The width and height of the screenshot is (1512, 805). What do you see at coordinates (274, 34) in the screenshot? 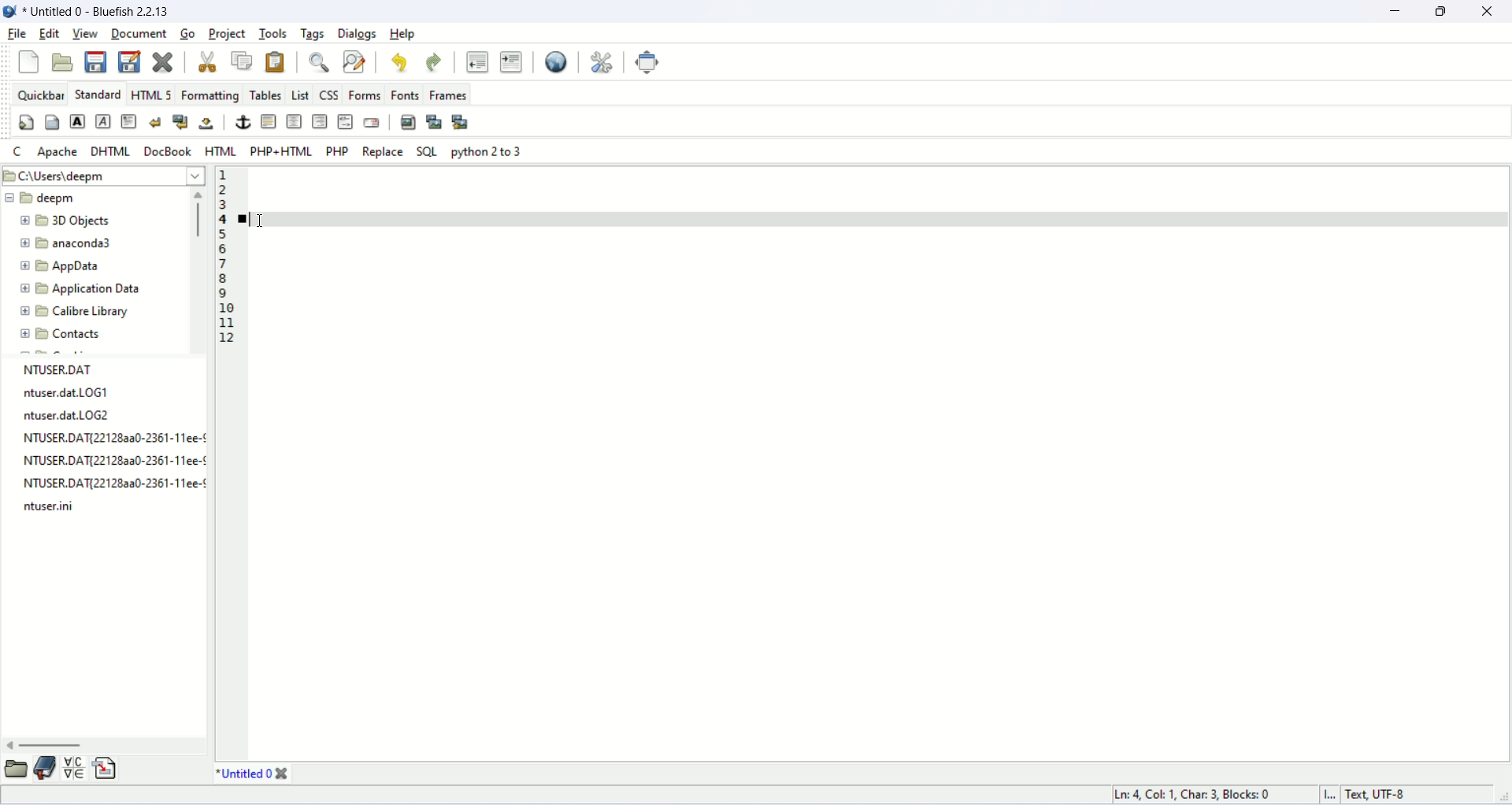
I see `tools` at bounding box center [274, 34].